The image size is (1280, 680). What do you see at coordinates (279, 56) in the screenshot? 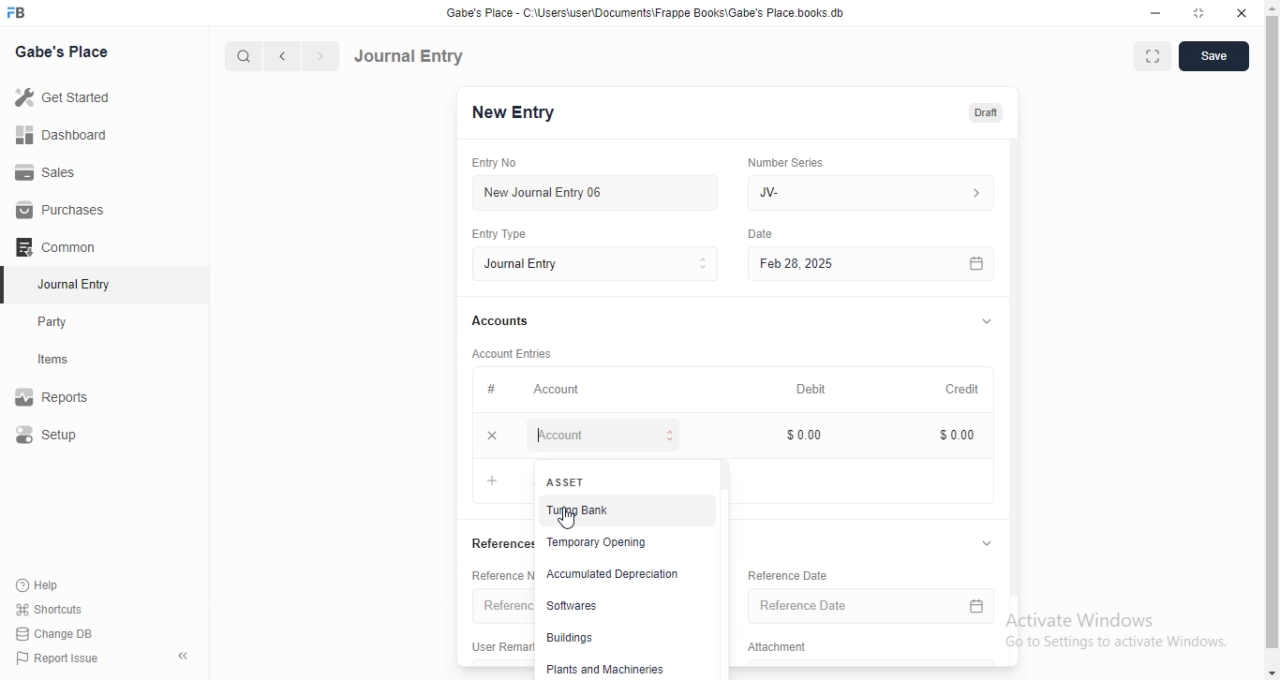
I see `previous` at bounding box center [279, 56].